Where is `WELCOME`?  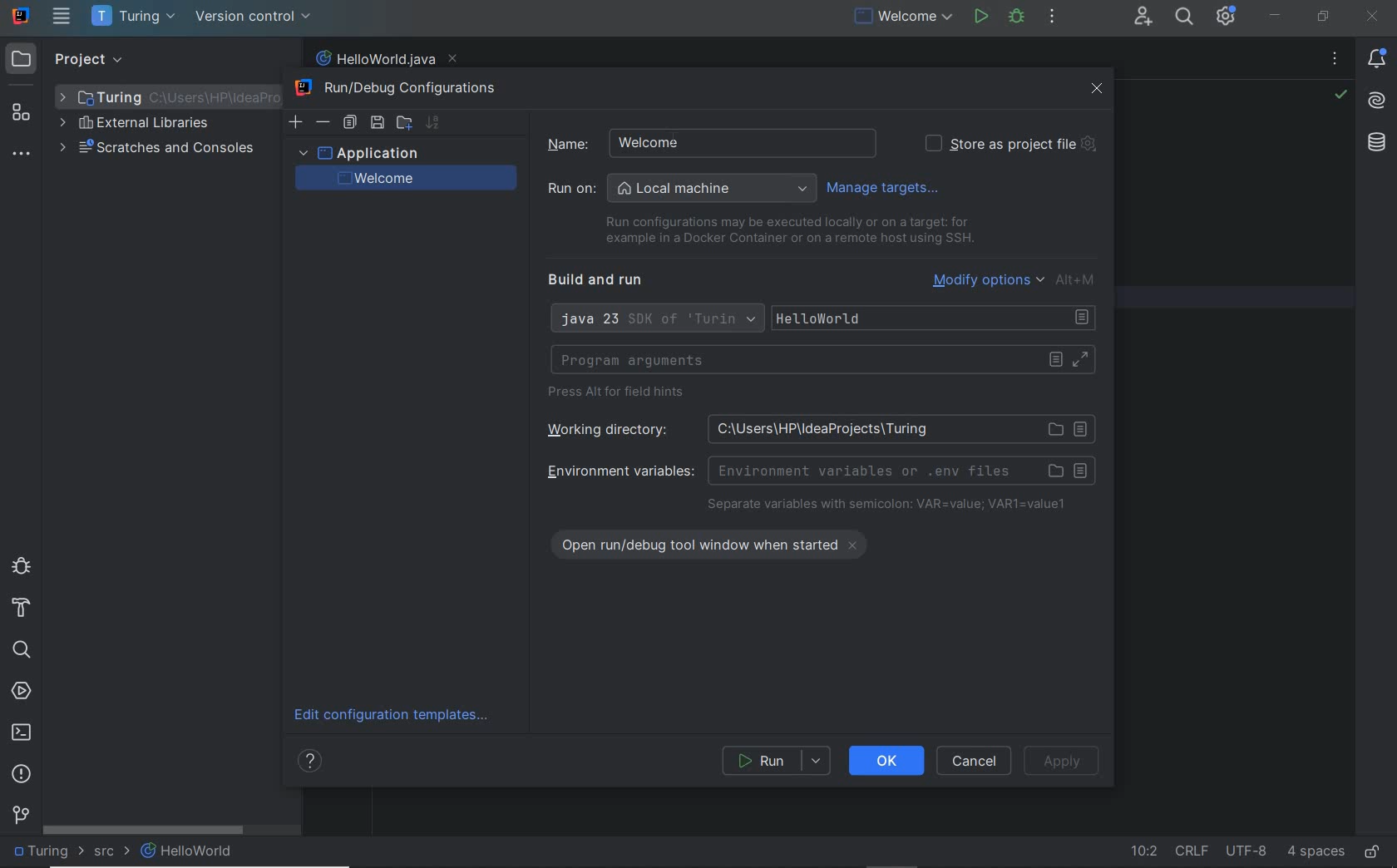
WELCOME is located at coordinates (402, 178).